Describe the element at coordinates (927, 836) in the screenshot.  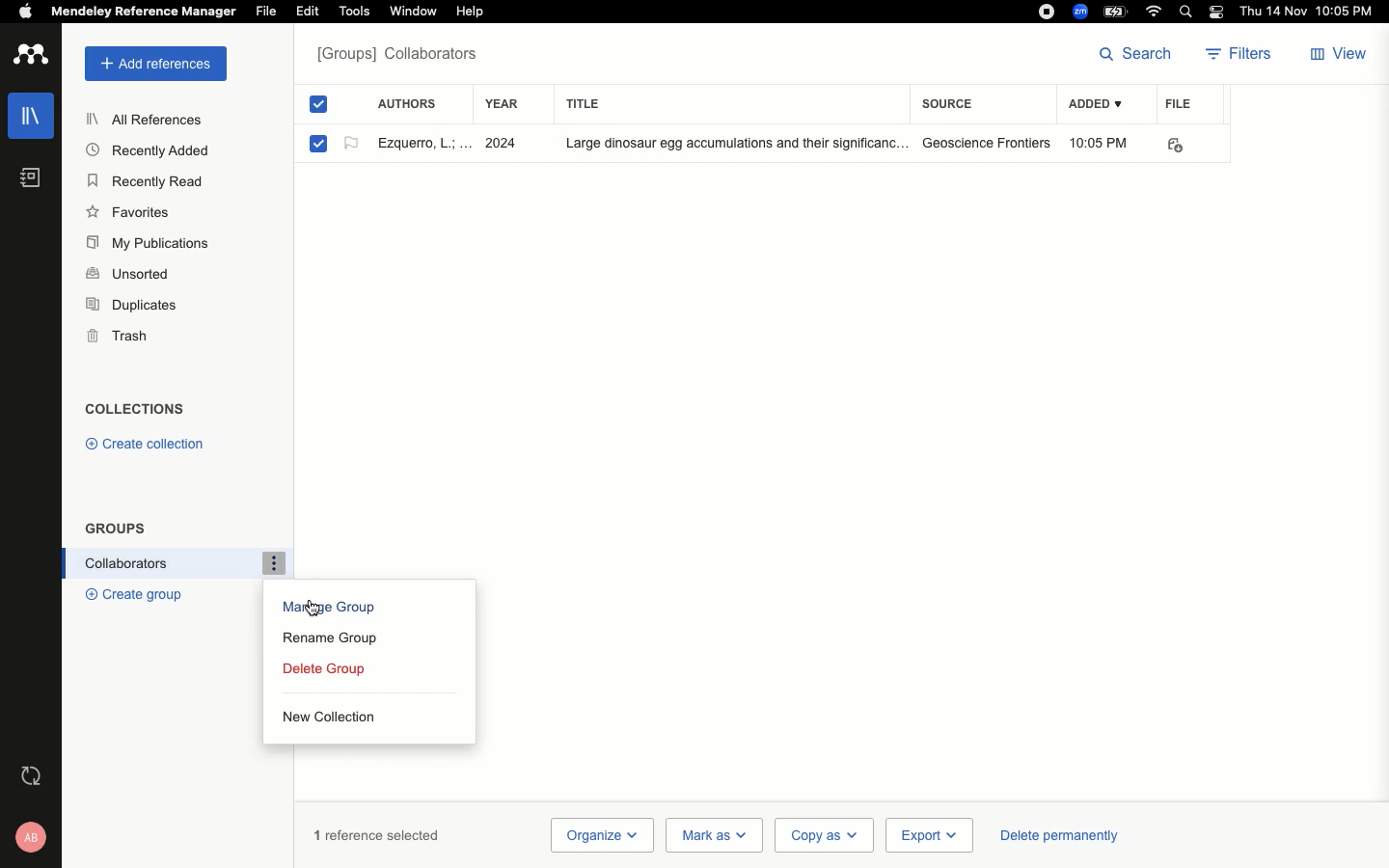
I see `Export` at that location.